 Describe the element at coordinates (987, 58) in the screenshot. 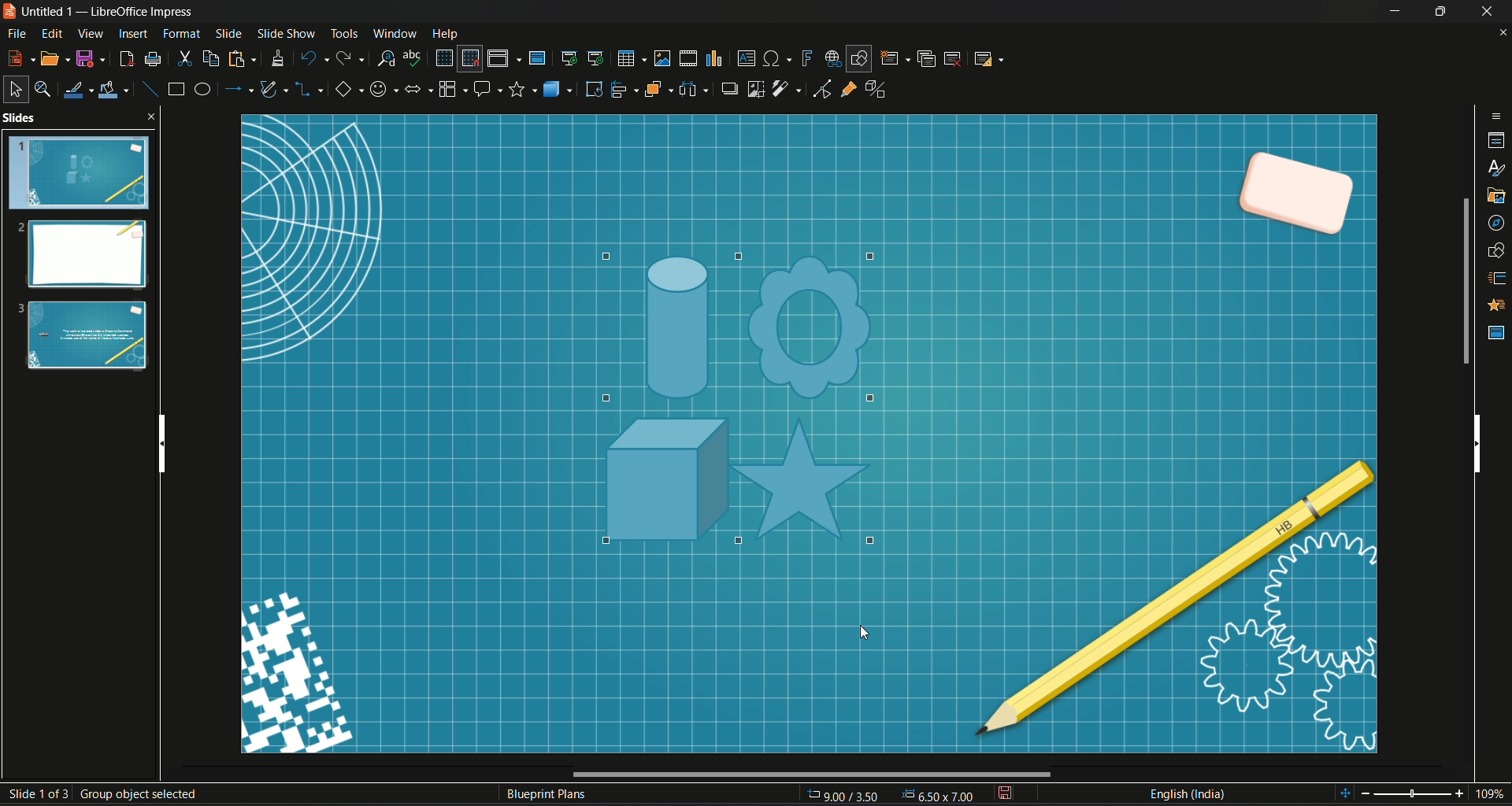

I see `slide layout` at that location.